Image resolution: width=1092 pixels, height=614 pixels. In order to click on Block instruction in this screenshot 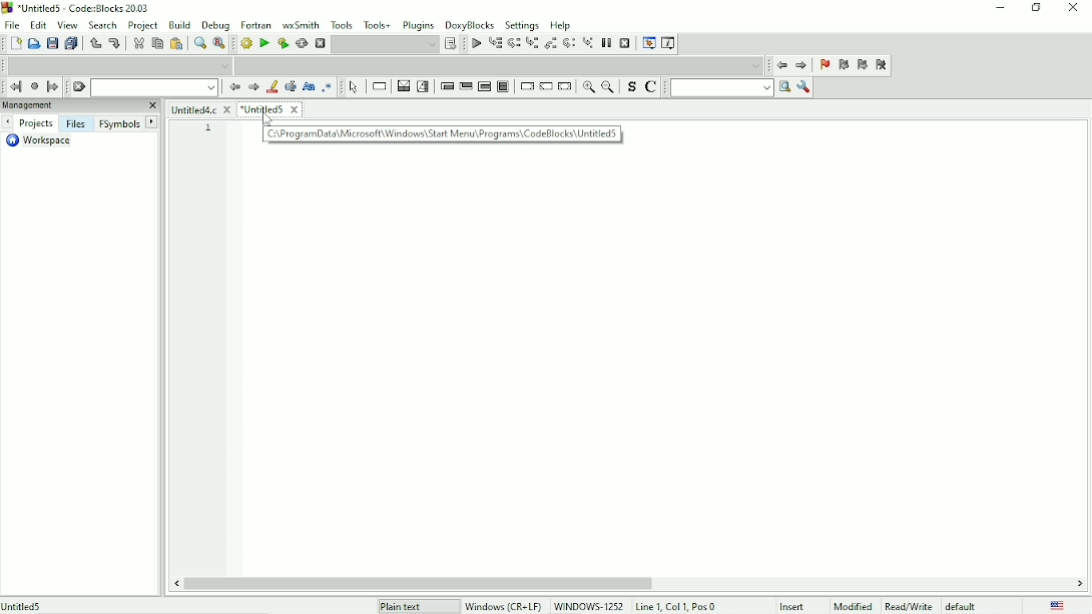, I will do `click(502, 86)`.